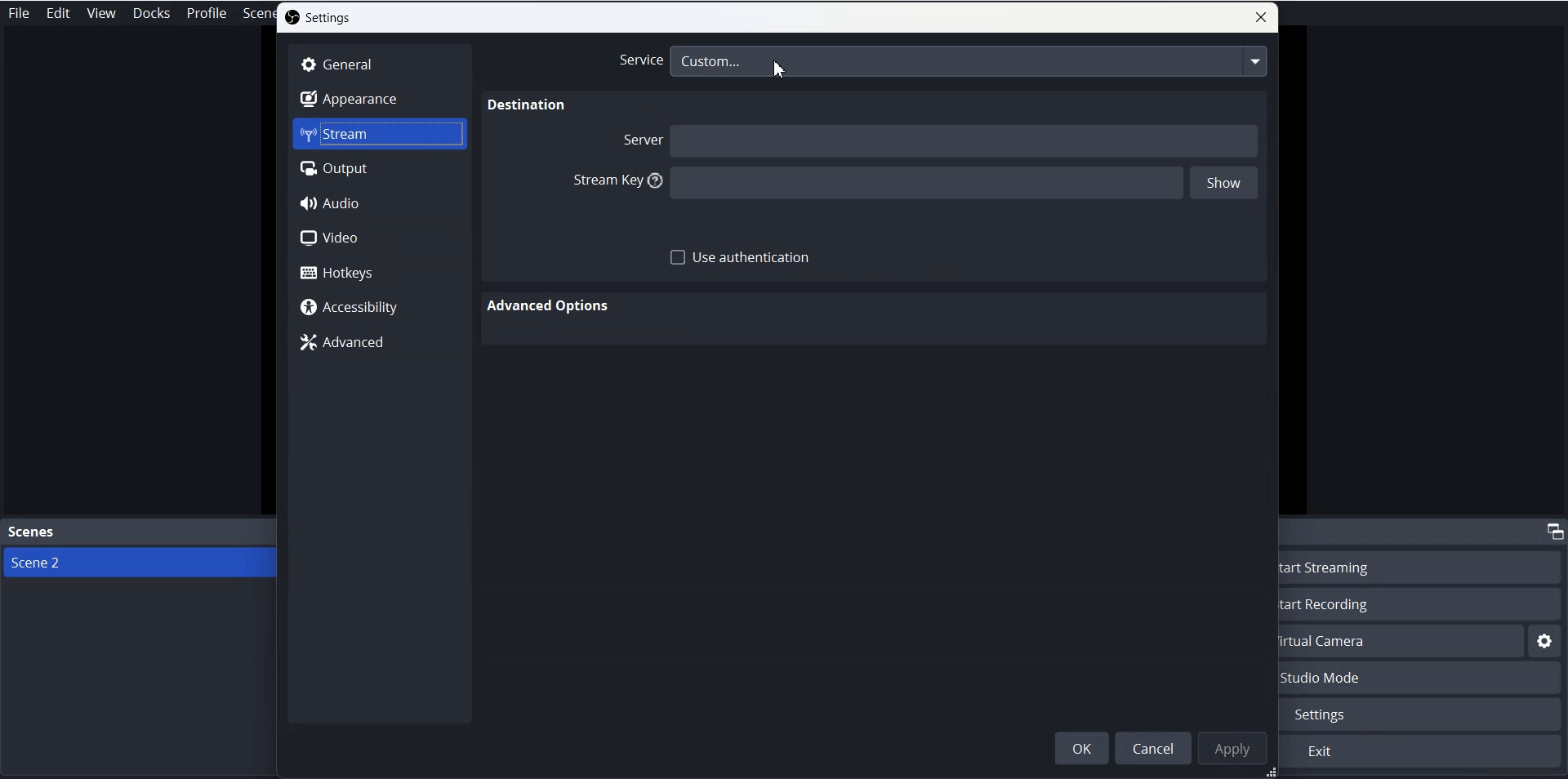 This screenshot has width=1568, height=779. What do you see at coordinates (139, 533) in the screenshot?
I see `Scenes` at bounding box center [139, 533].